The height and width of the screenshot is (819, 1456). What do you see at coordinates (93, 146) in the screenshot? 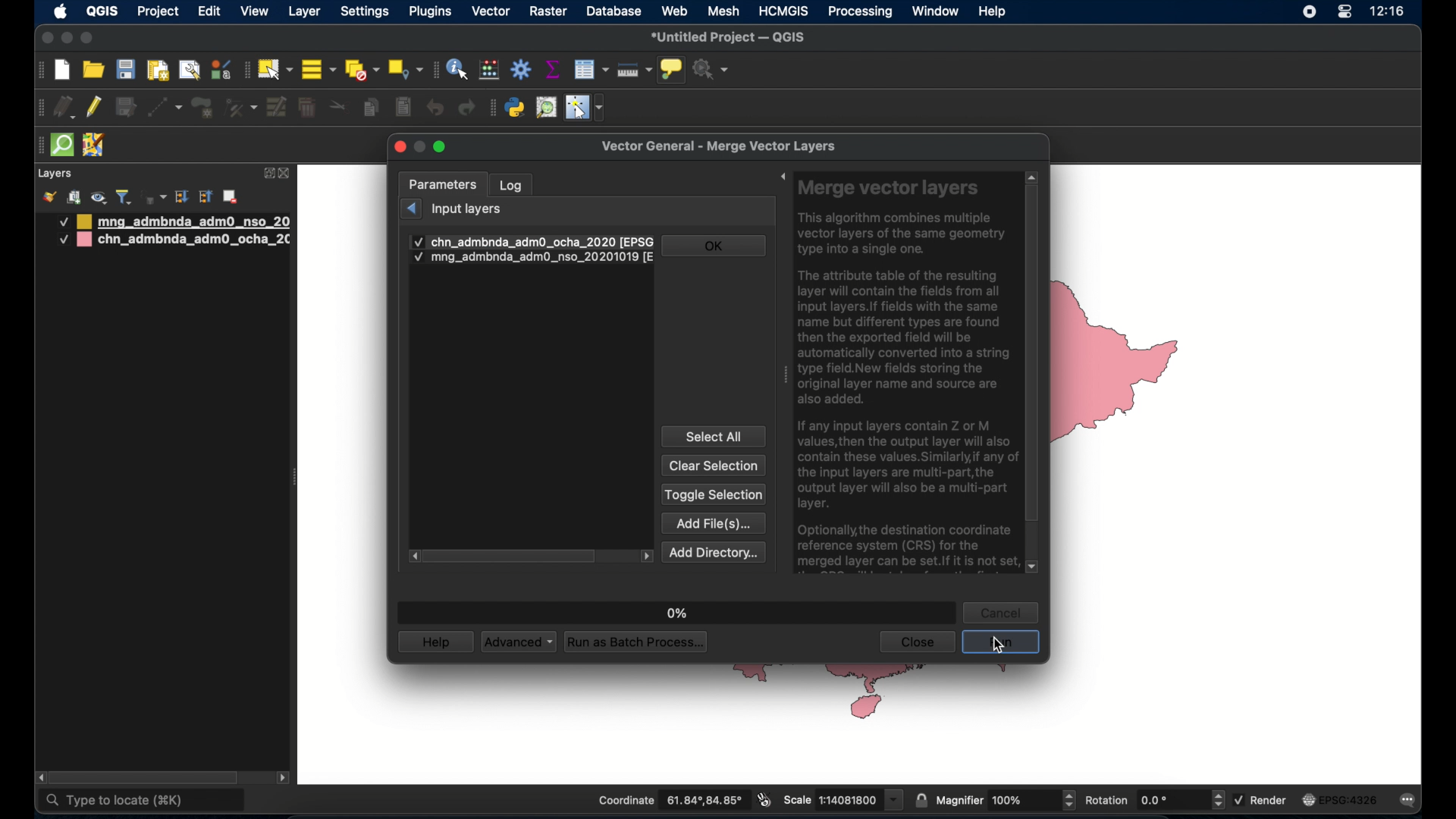
I see `josh remote` at bounding box center [93, 146].